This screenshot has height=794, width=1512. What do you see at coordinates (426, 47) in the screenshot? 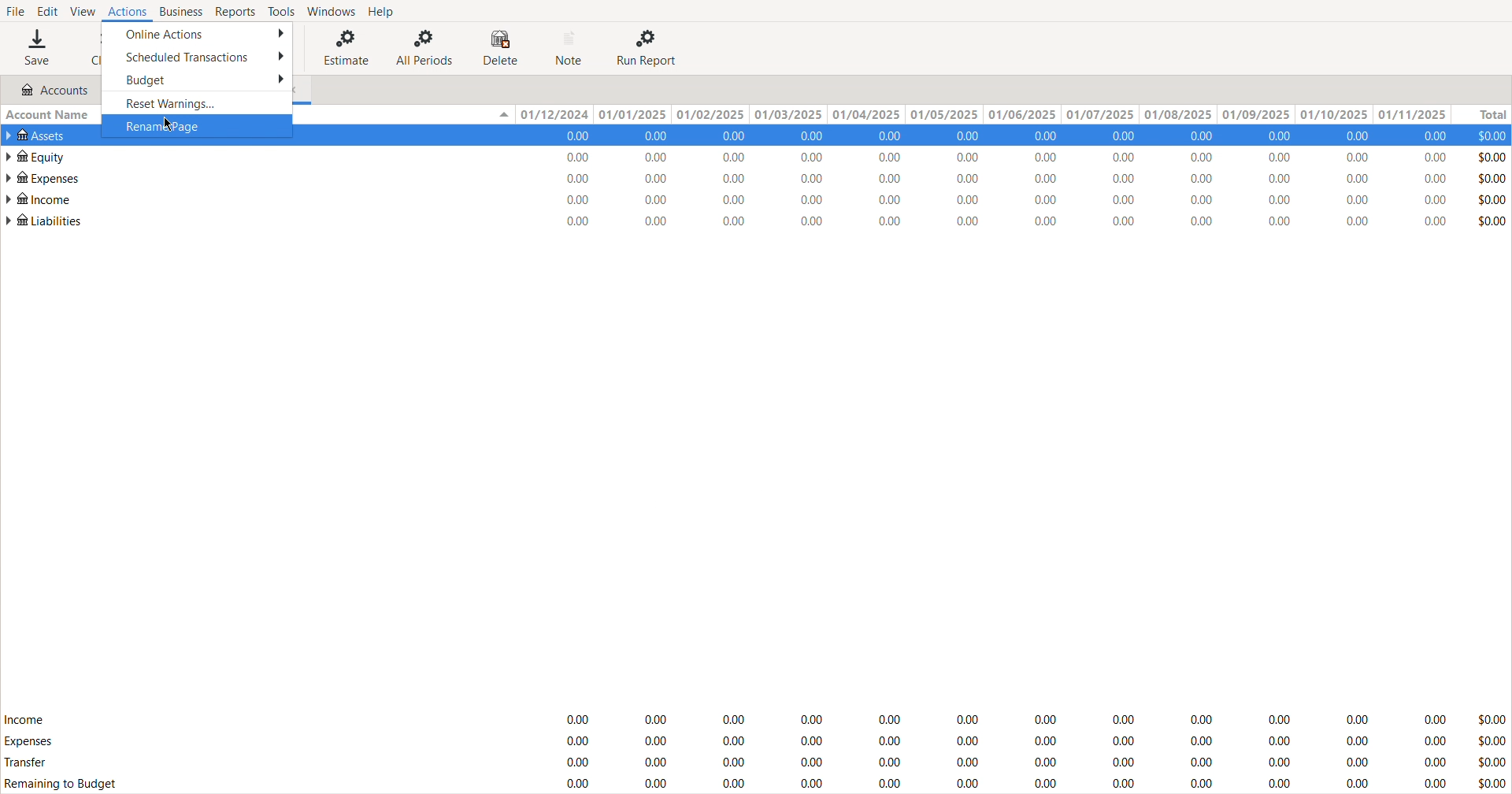
I see `All Periods` at bounding box center [426, 47].